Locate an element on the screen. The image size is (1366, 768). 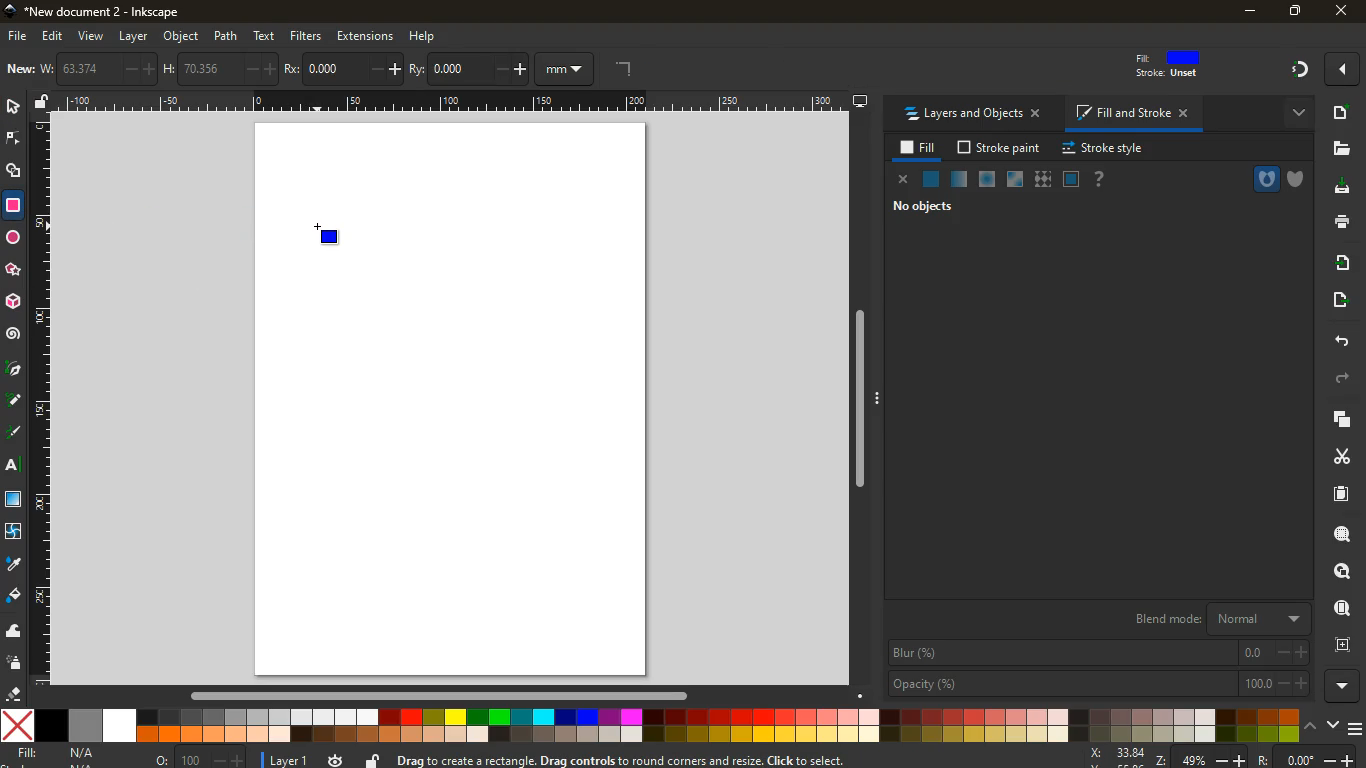
stroke paint is located at coordinates (1002, 147).